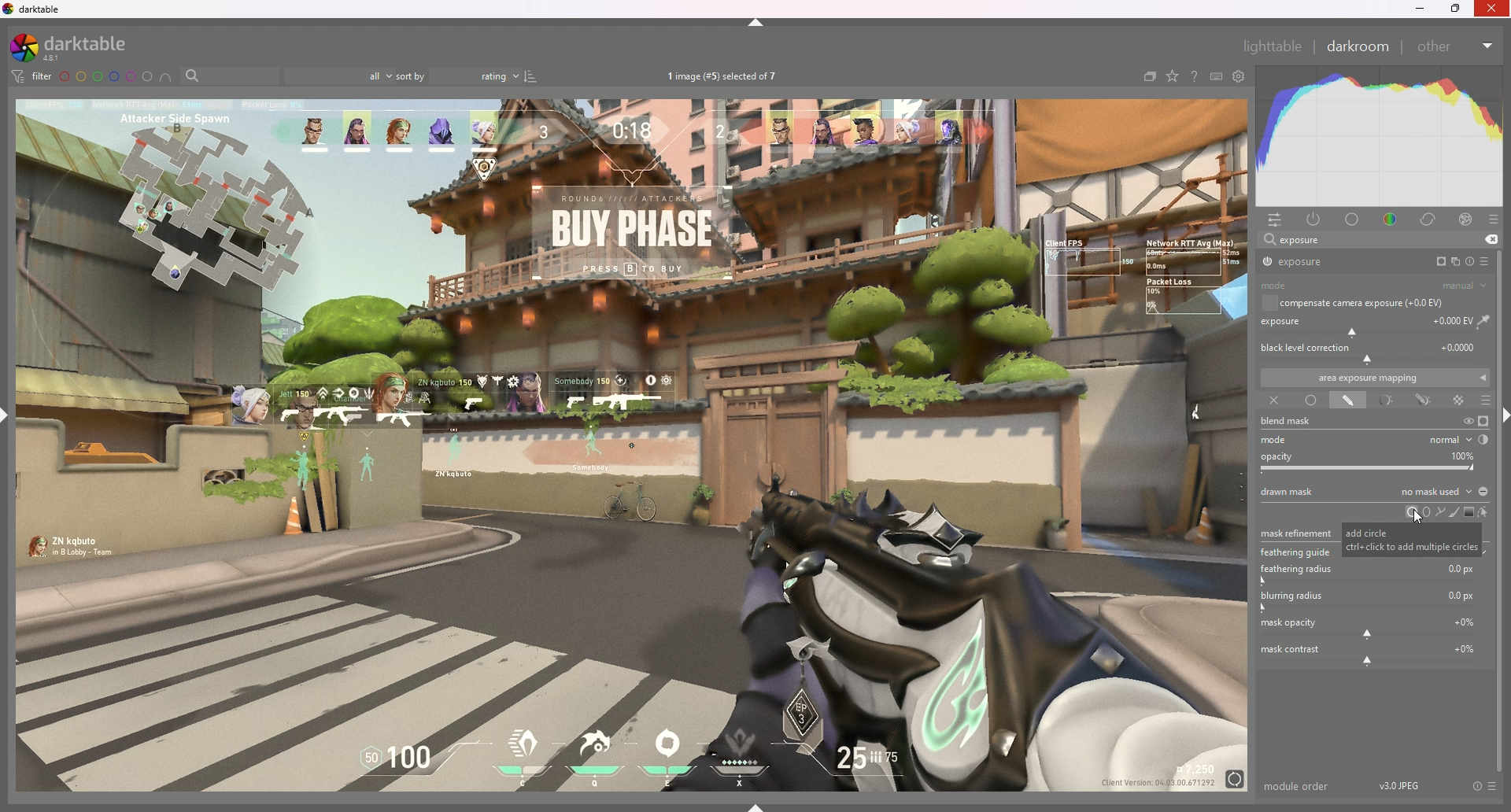 The height and width of the screenshot is (812, 1511). I want to click on lighttable, so click(1273, 46).